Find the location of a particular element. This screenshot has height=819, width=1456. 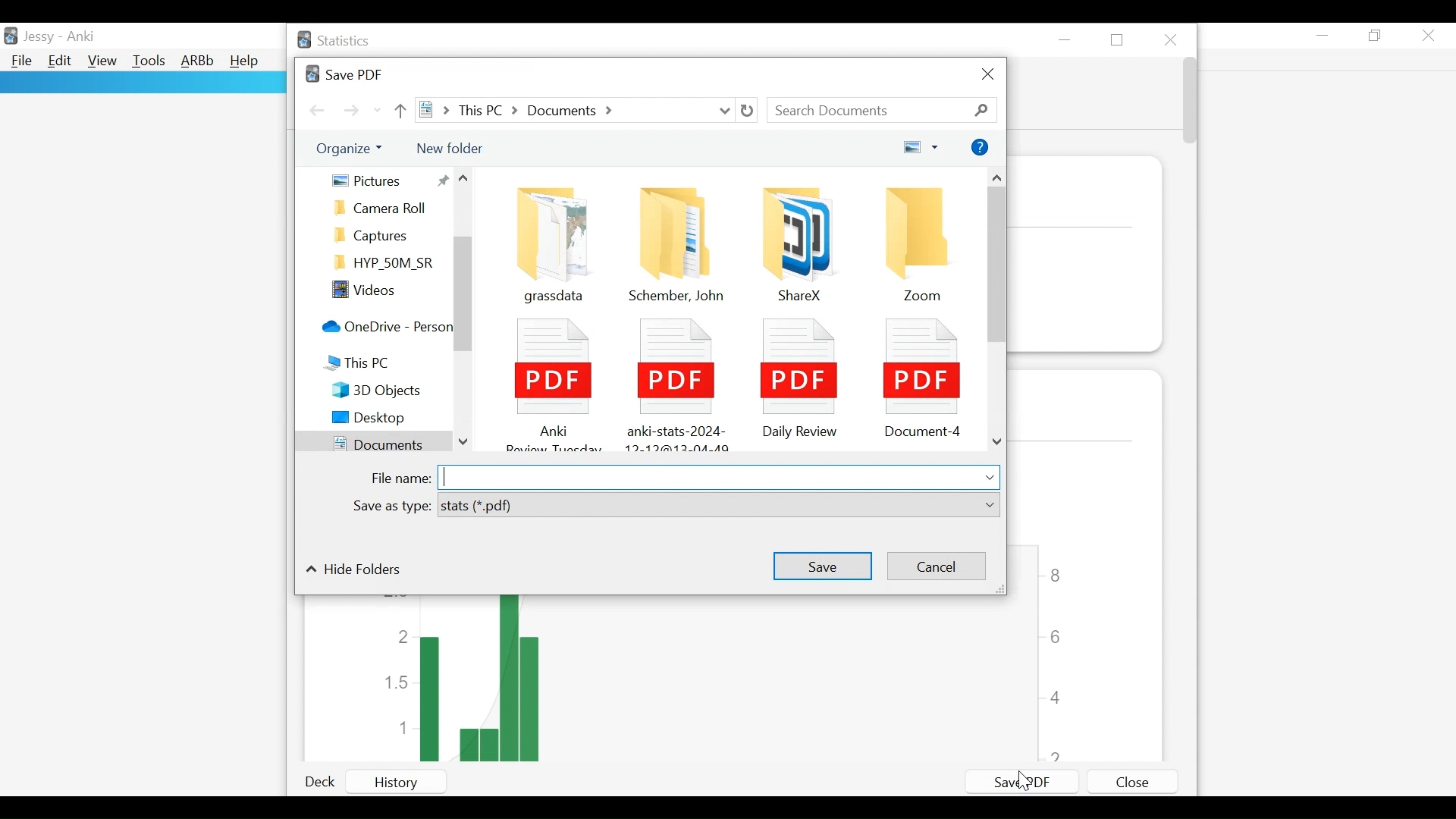

PDF is located at coordinates (795, 376).